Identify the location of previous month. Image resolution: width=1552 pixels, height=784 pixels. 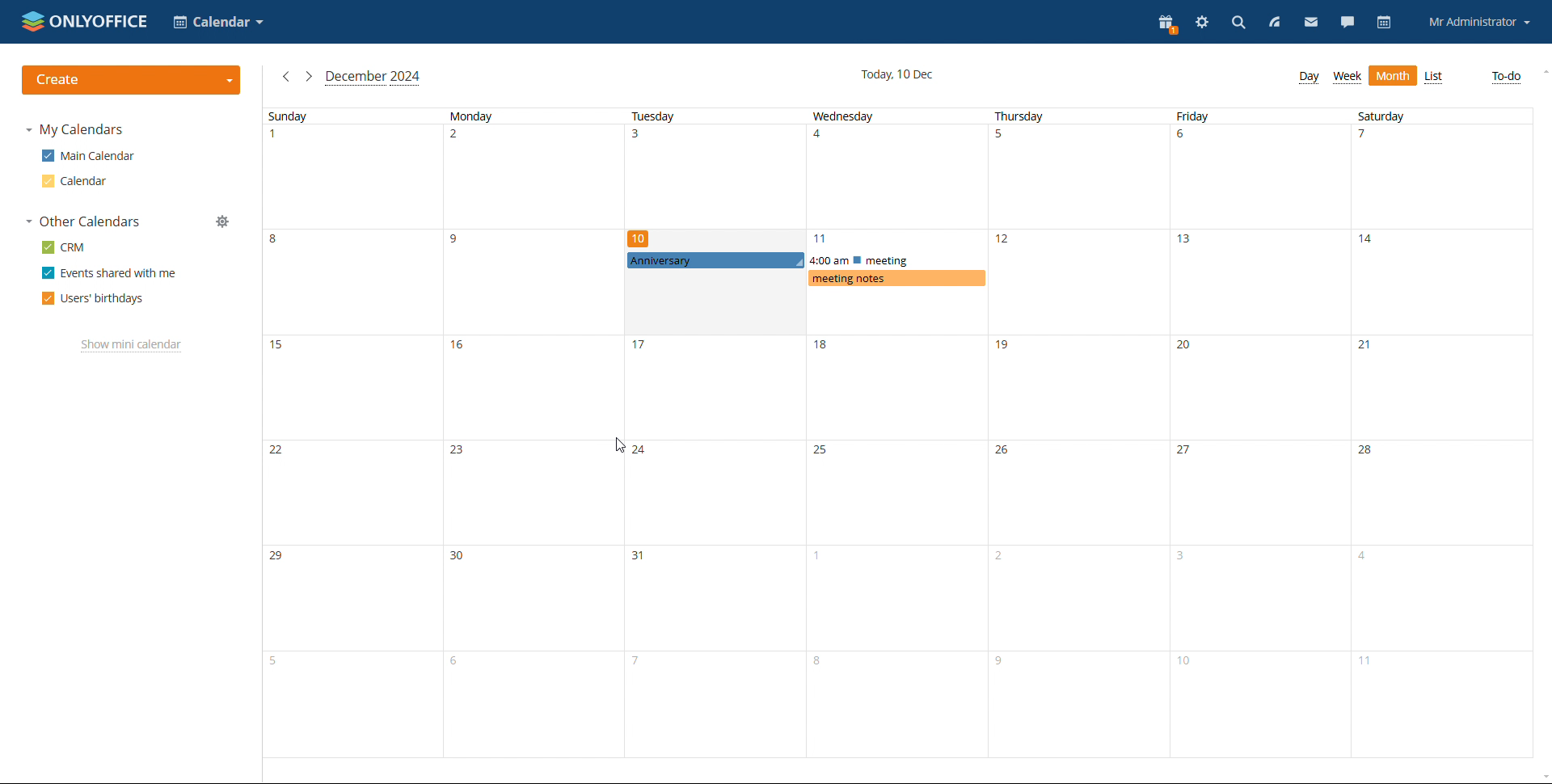
(285, 76).